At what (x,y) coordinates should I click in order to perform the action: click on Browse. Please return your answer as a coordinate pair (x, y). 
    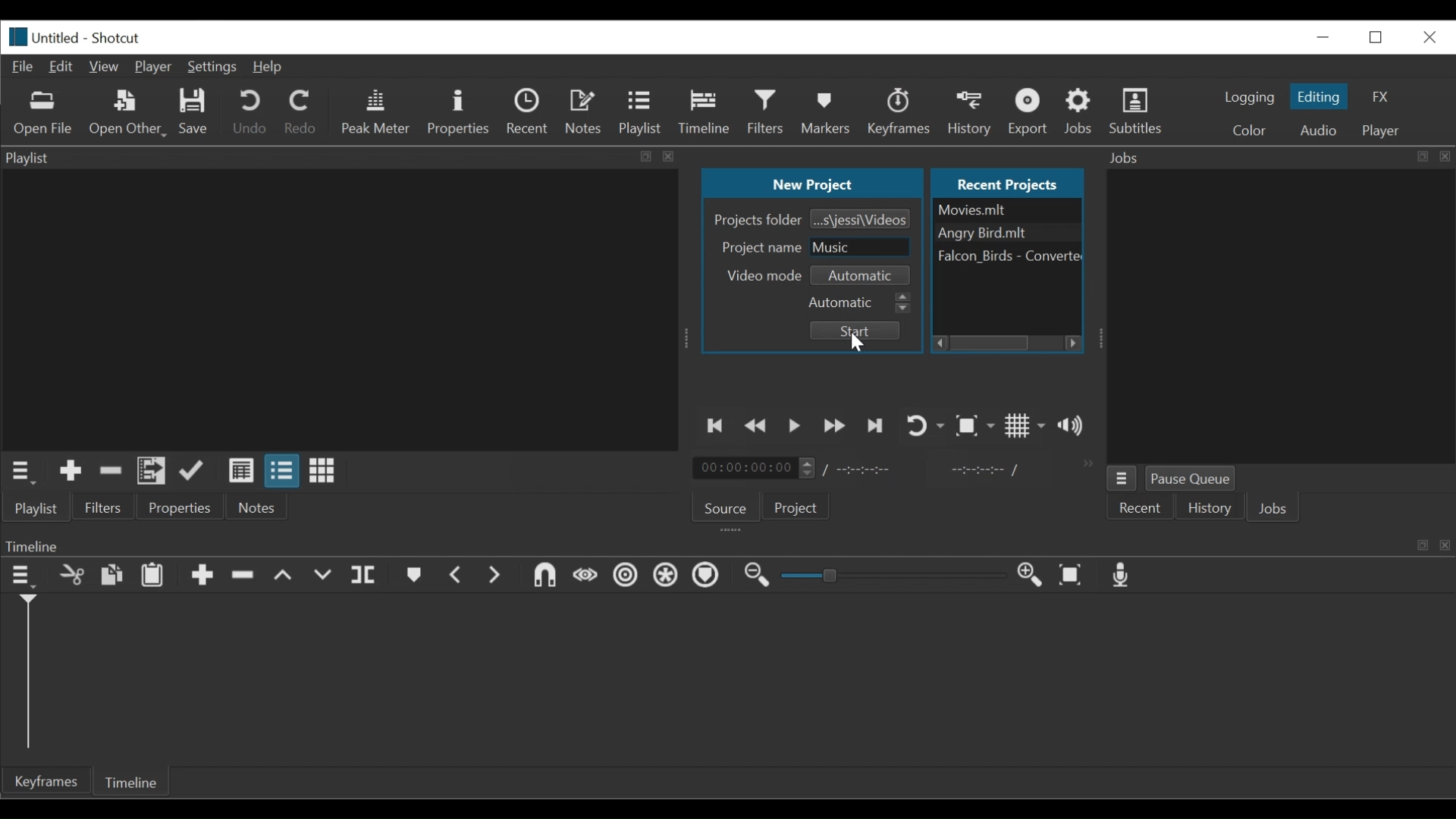
    Looking at the image, I should click on (861, 219).